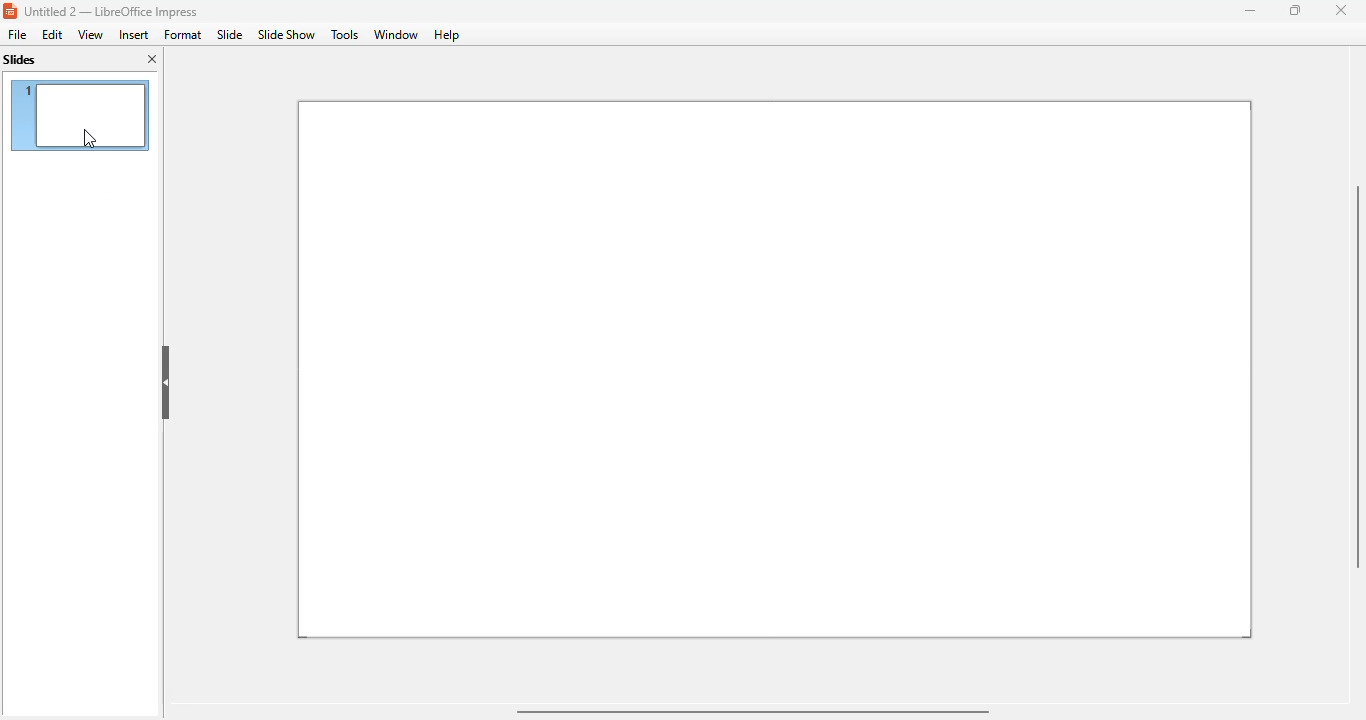  I want to click on vertical scroll bar, so click(1356, 375).